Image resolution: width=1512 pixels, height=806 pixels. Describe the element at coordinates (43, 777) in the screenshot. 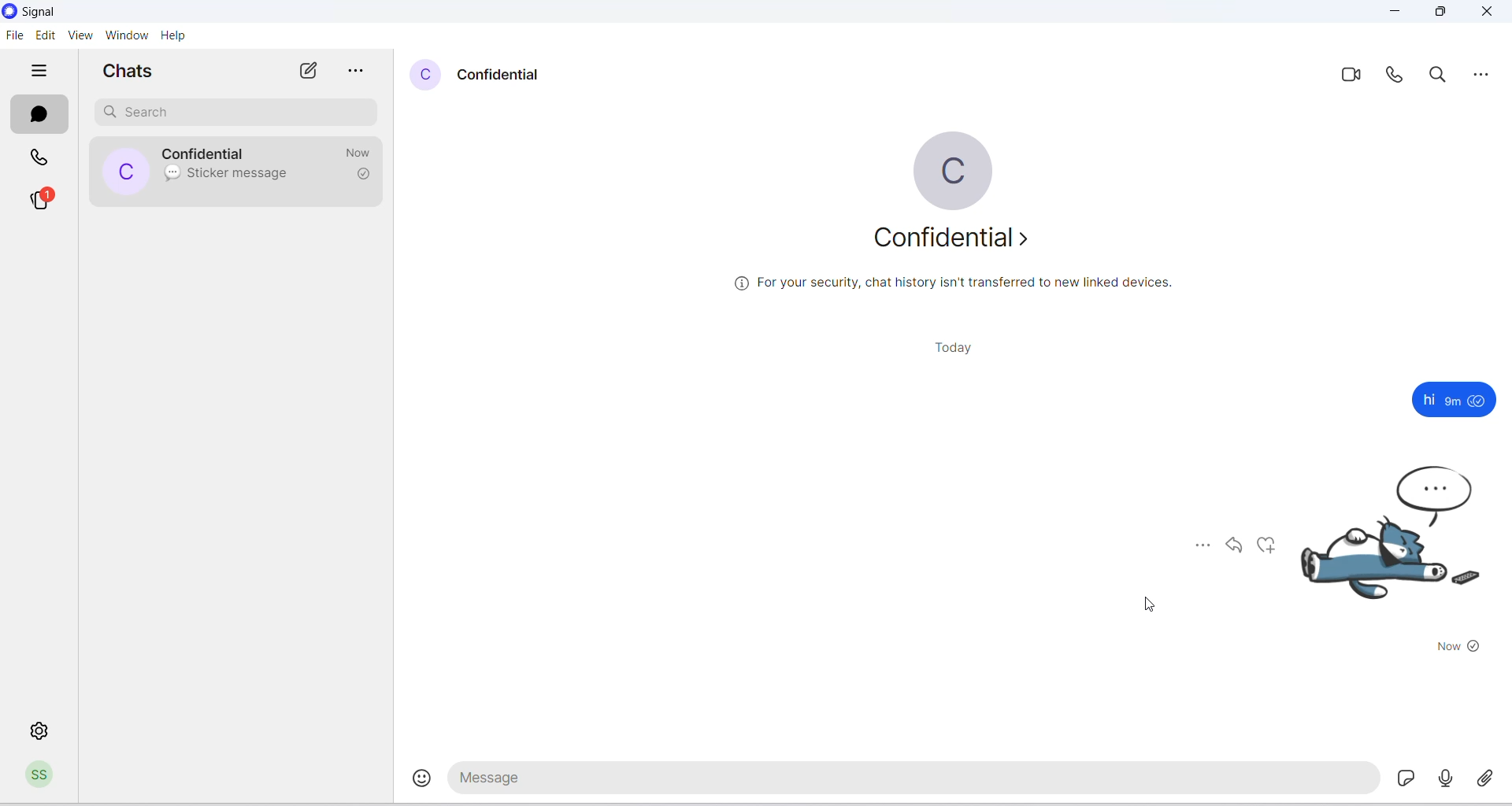

I see `profile` at that location.